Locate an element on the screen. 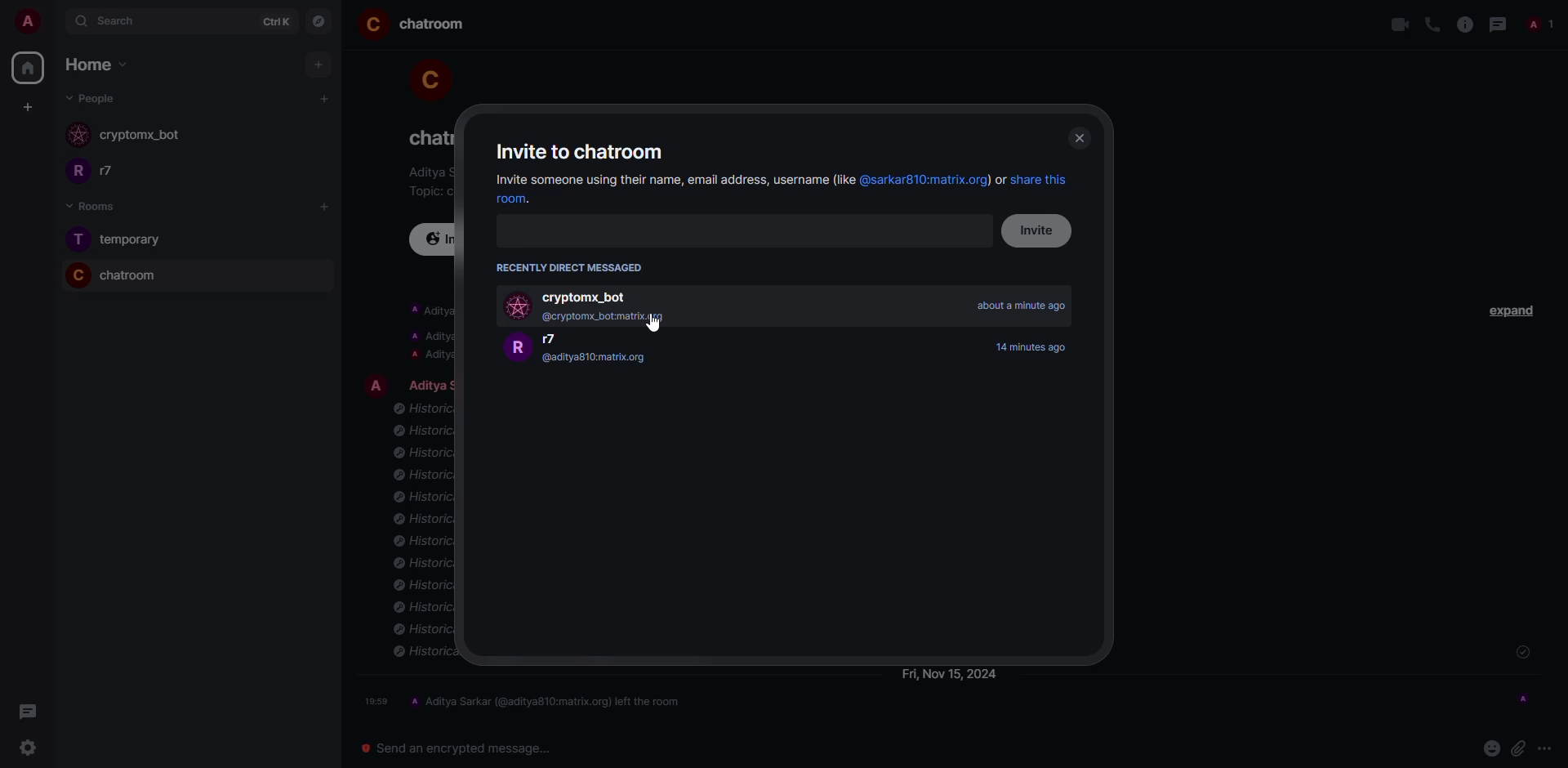 The height and width of the screenshot is (768, 1568). topic chat is located at coordinates (428, 190).